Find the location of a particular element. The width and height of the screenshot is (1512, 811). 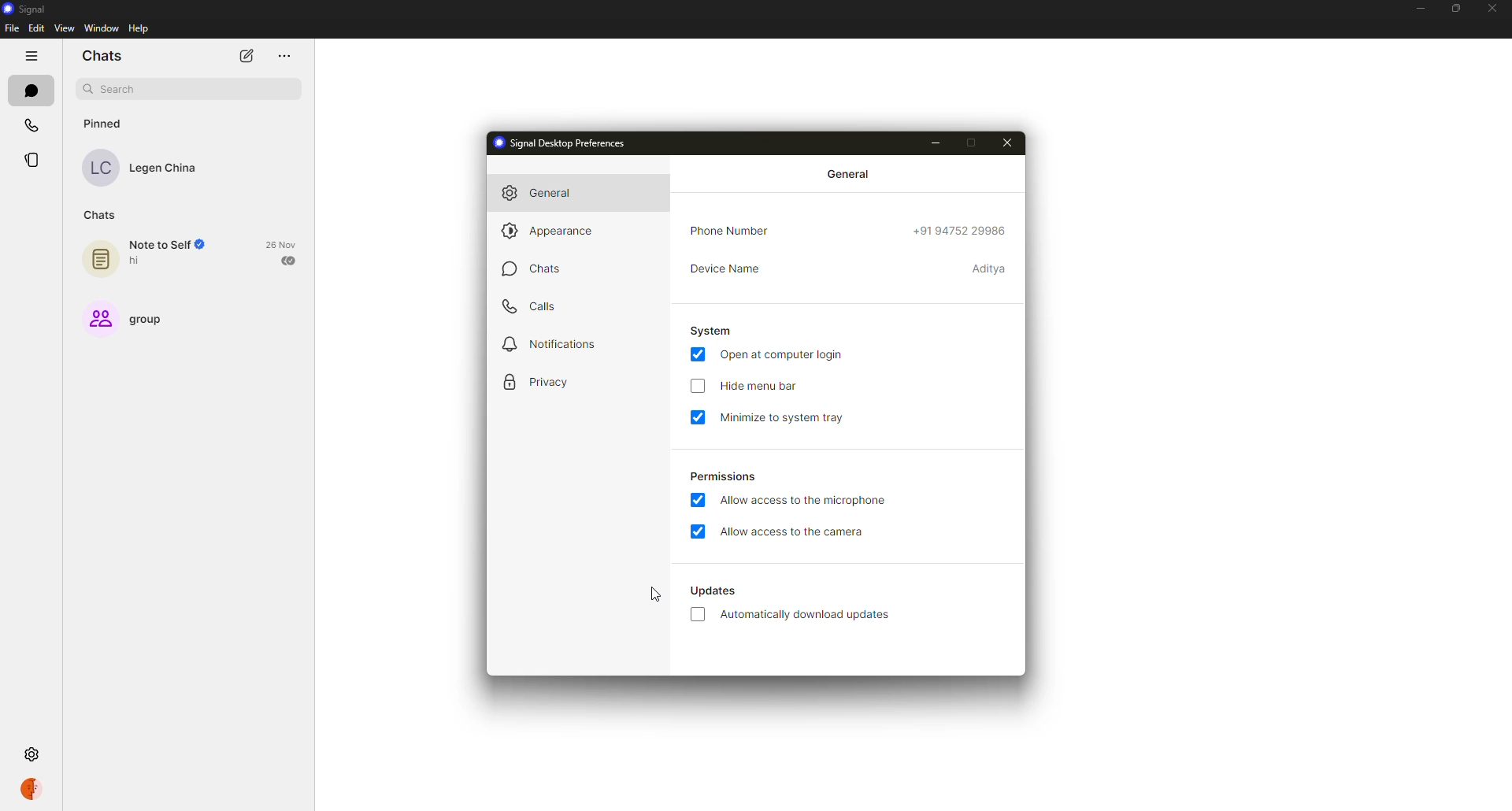

calls is located at coordinates (536, 306).